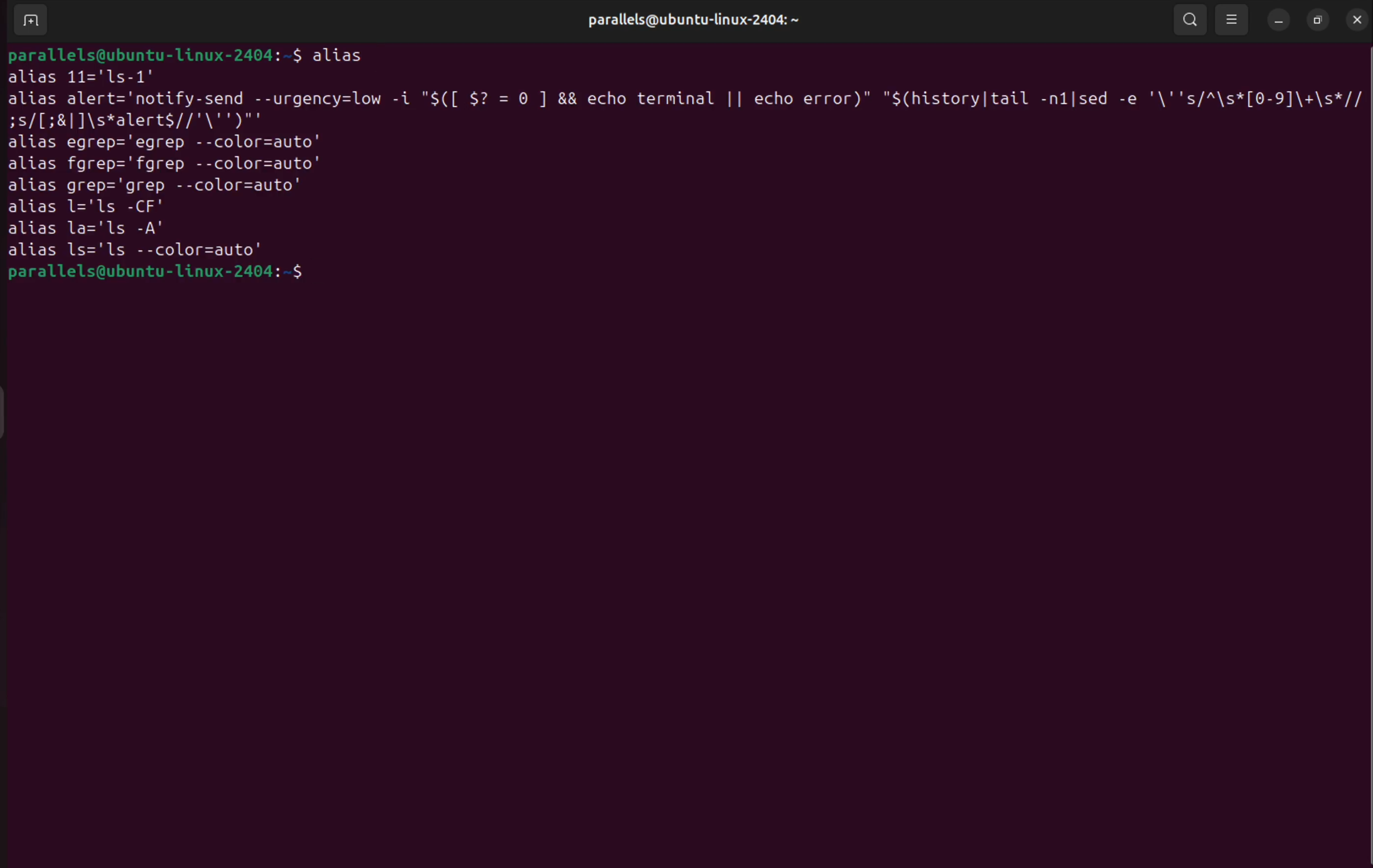 The height and width of the screenshot is (868, 1373). What do you see at coordinates (338, 55) in the screenshot?
I see `alias` at bounding box center [338, 55].